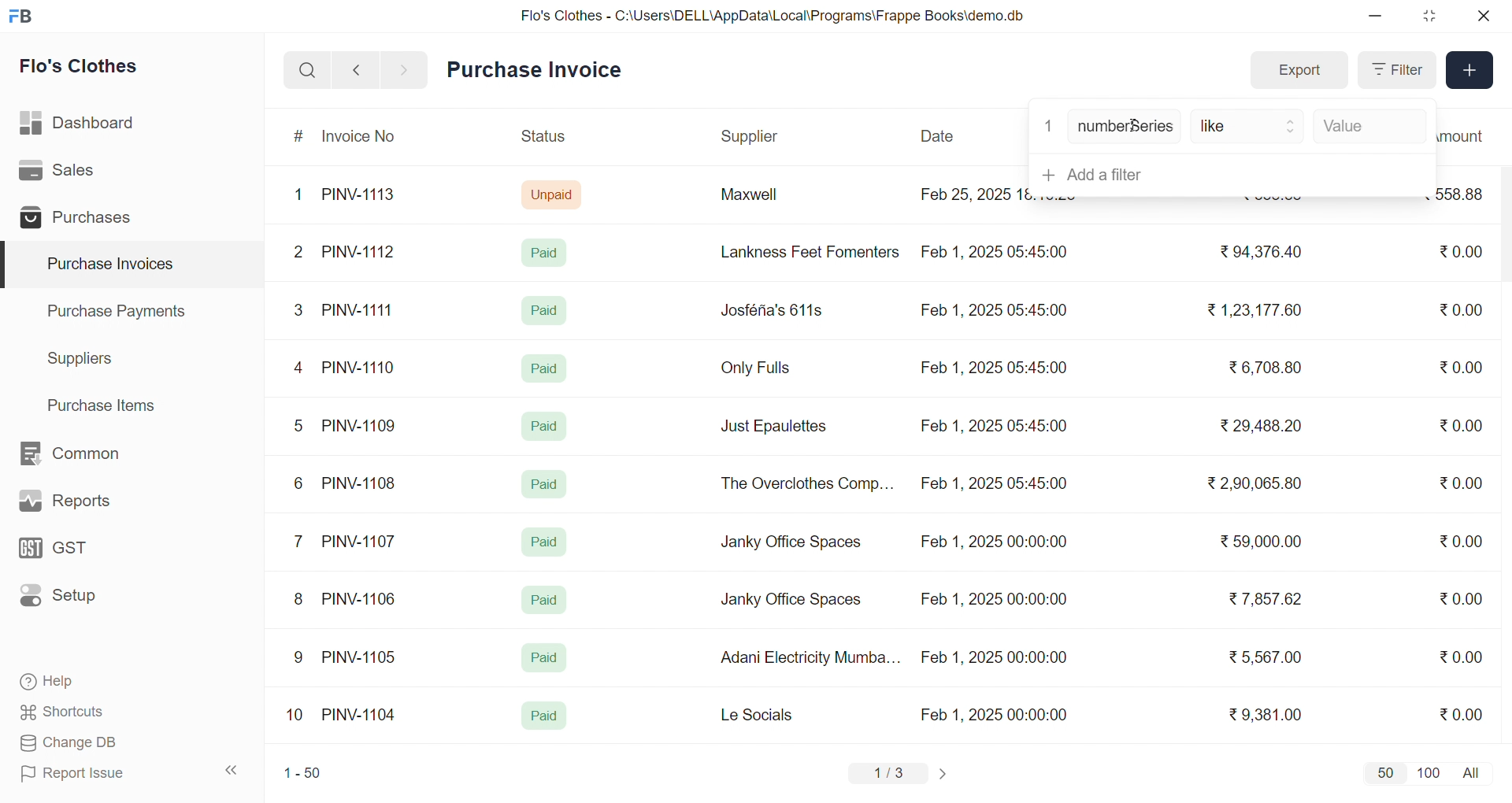 This screenshot has width=1512, height=803. Describe the element at coordinates (1265, 364) in the screenshot. I see `₹6,708.80` at that location.